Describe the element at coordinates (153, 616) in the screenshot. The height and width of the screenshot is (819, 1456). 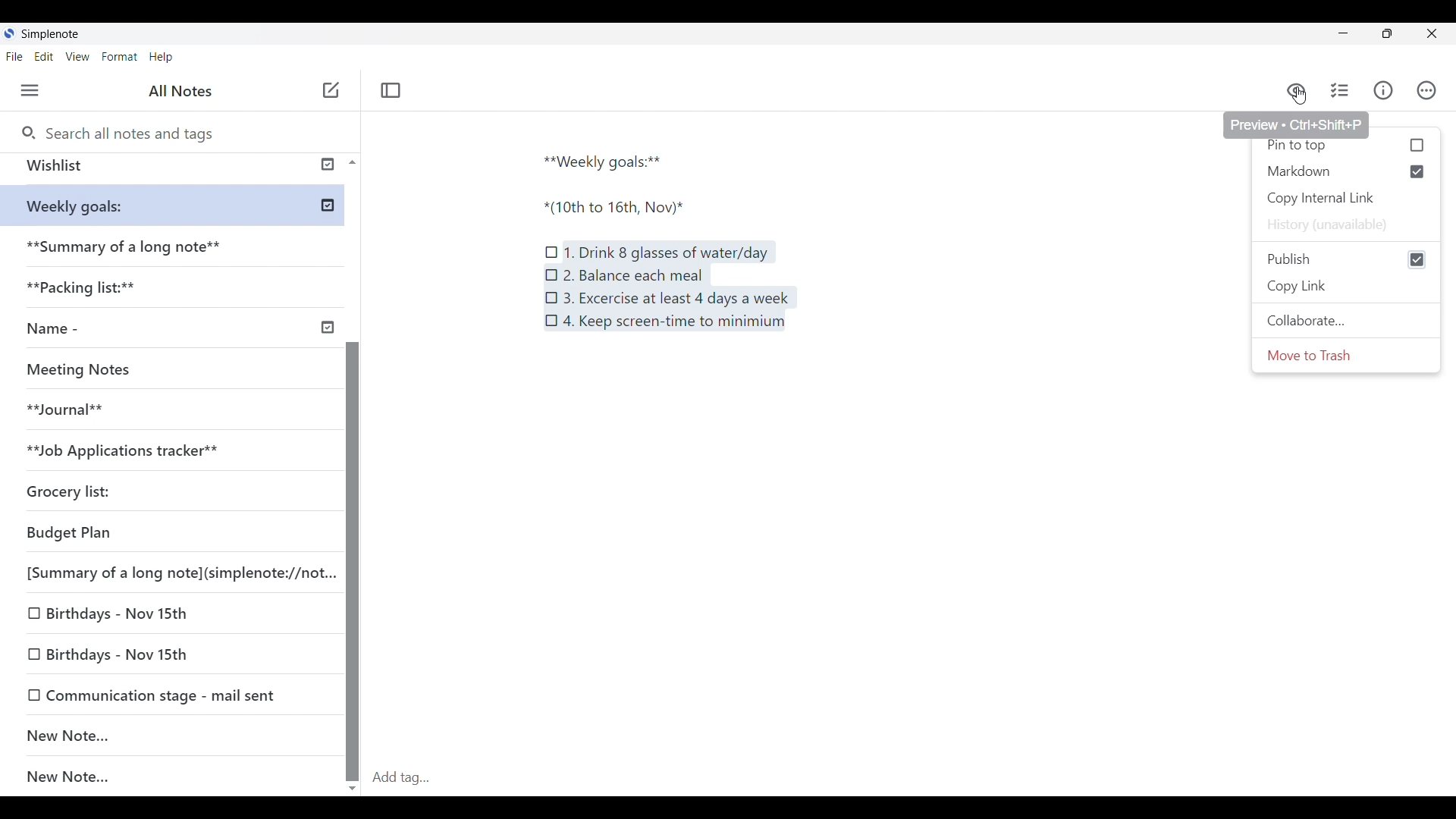
I see `Birthdays - Nov 15th` at that location.